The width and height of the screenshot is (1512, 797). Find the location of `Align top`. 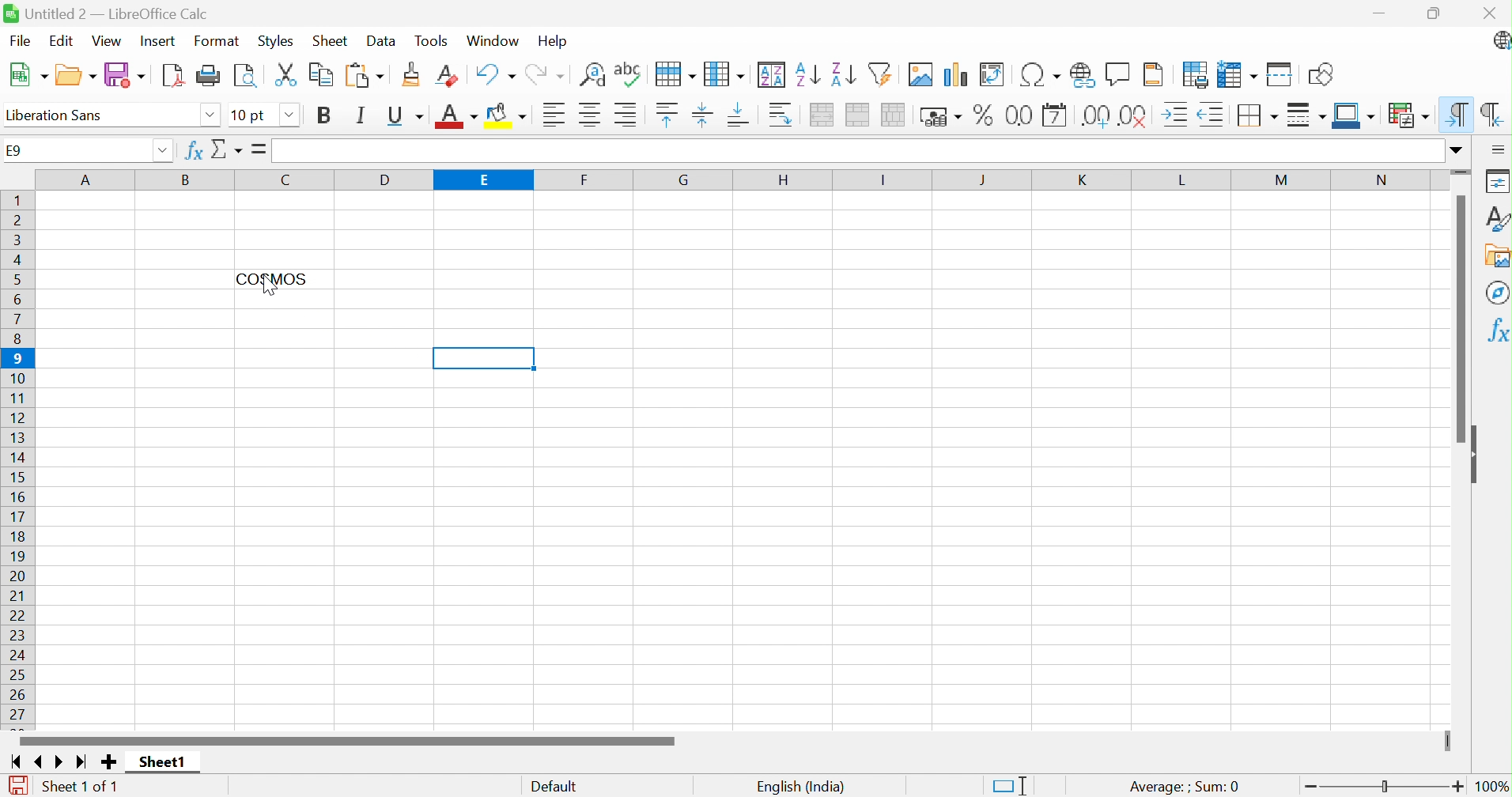

Align top is located at coordinates (668, 115).